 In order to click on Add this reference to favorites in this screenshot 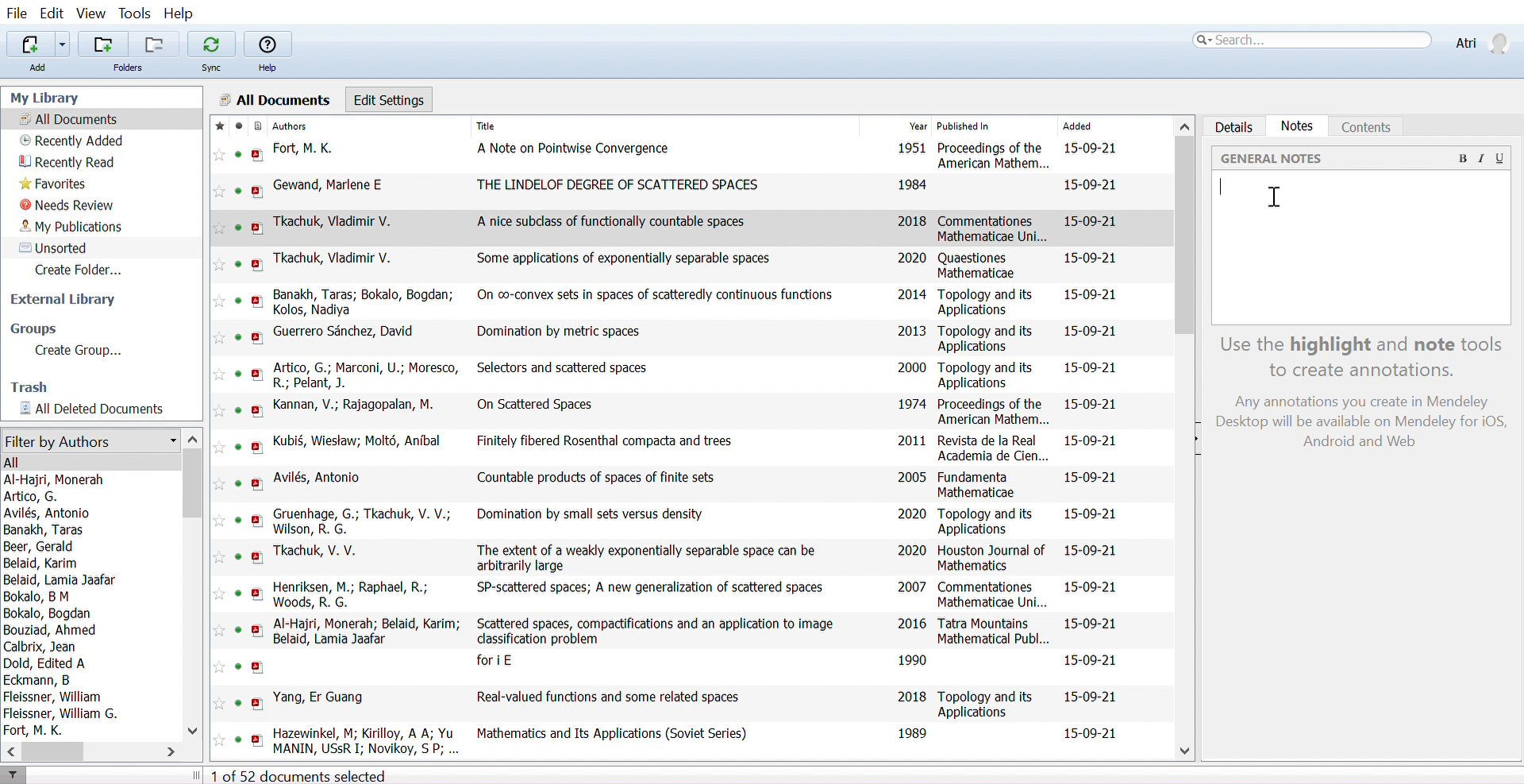, I will do `click(221, 447)`.